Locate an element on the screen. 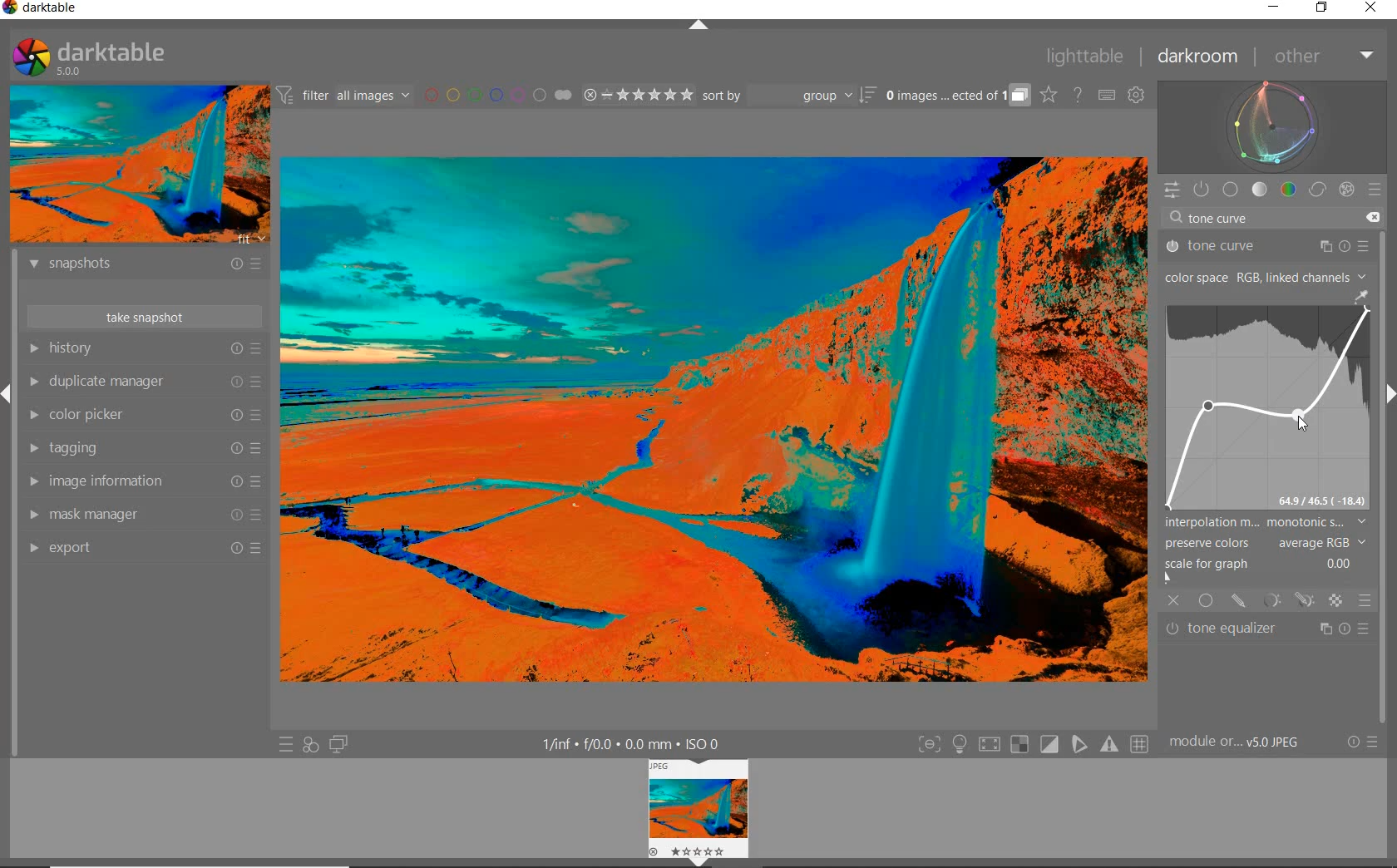 The width and height of the screenshot is (1397, 868). RESET OR PRESETS & PREFERENCES is located at coordinates (1362, 743).